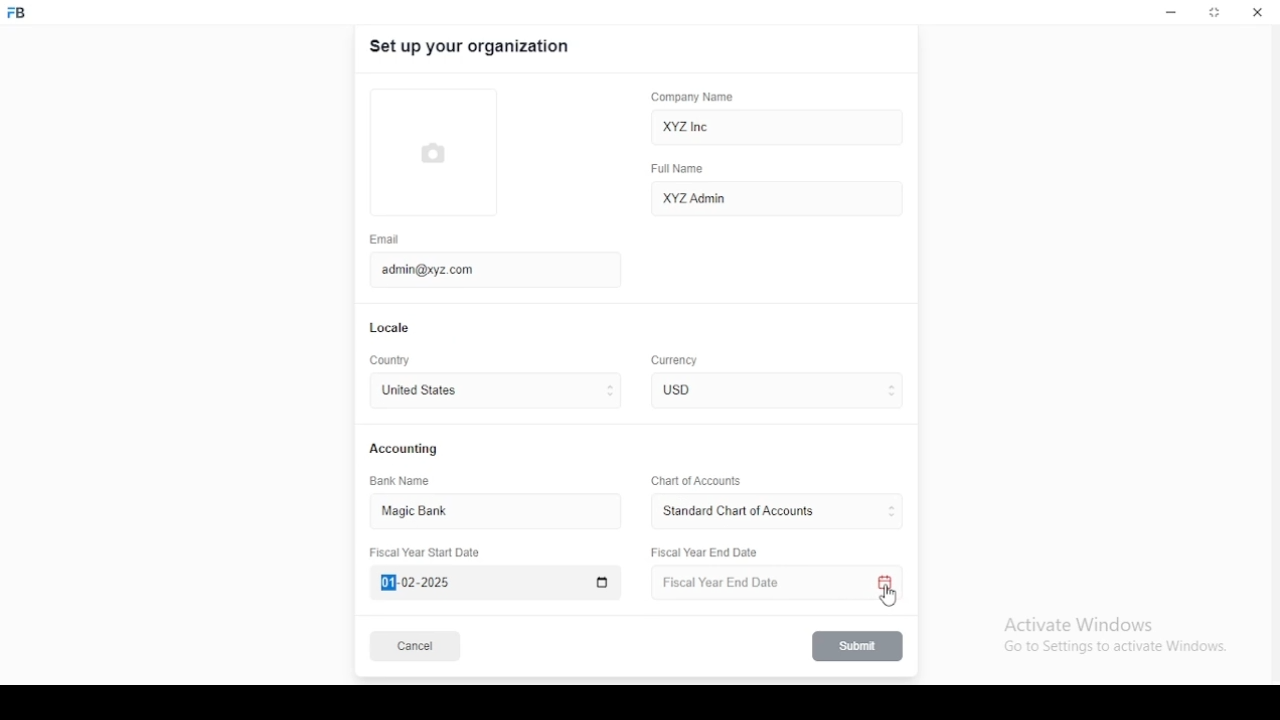  What do you see at coordinates (418, 392) in the screenshot?
I see `united states` at bounding box center [418, 392].